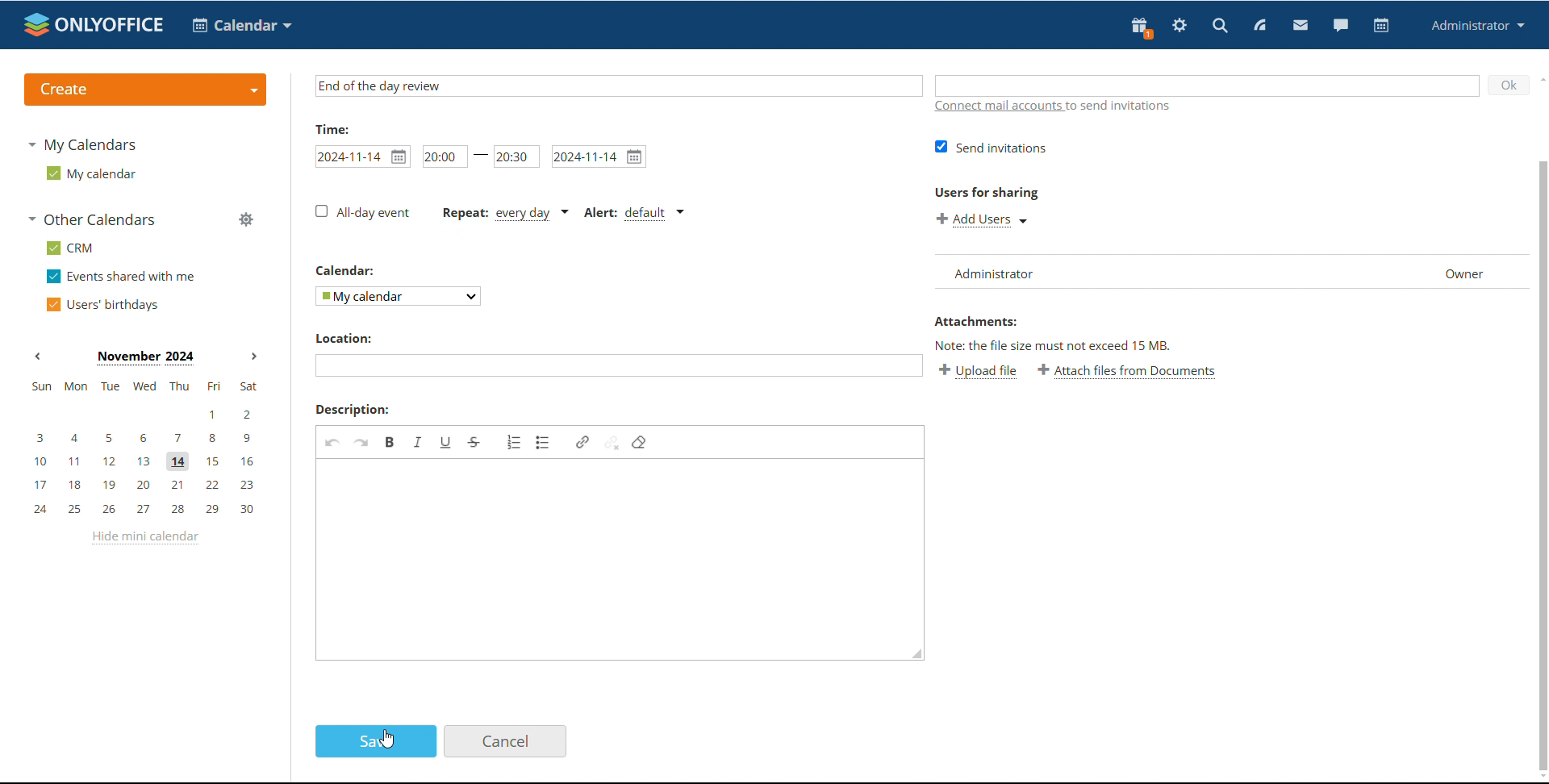 The height and width of the screenshot is (784, 1549). Describe the element at coordinates (94, 24) in the screenshot. I see `logo` at that location.